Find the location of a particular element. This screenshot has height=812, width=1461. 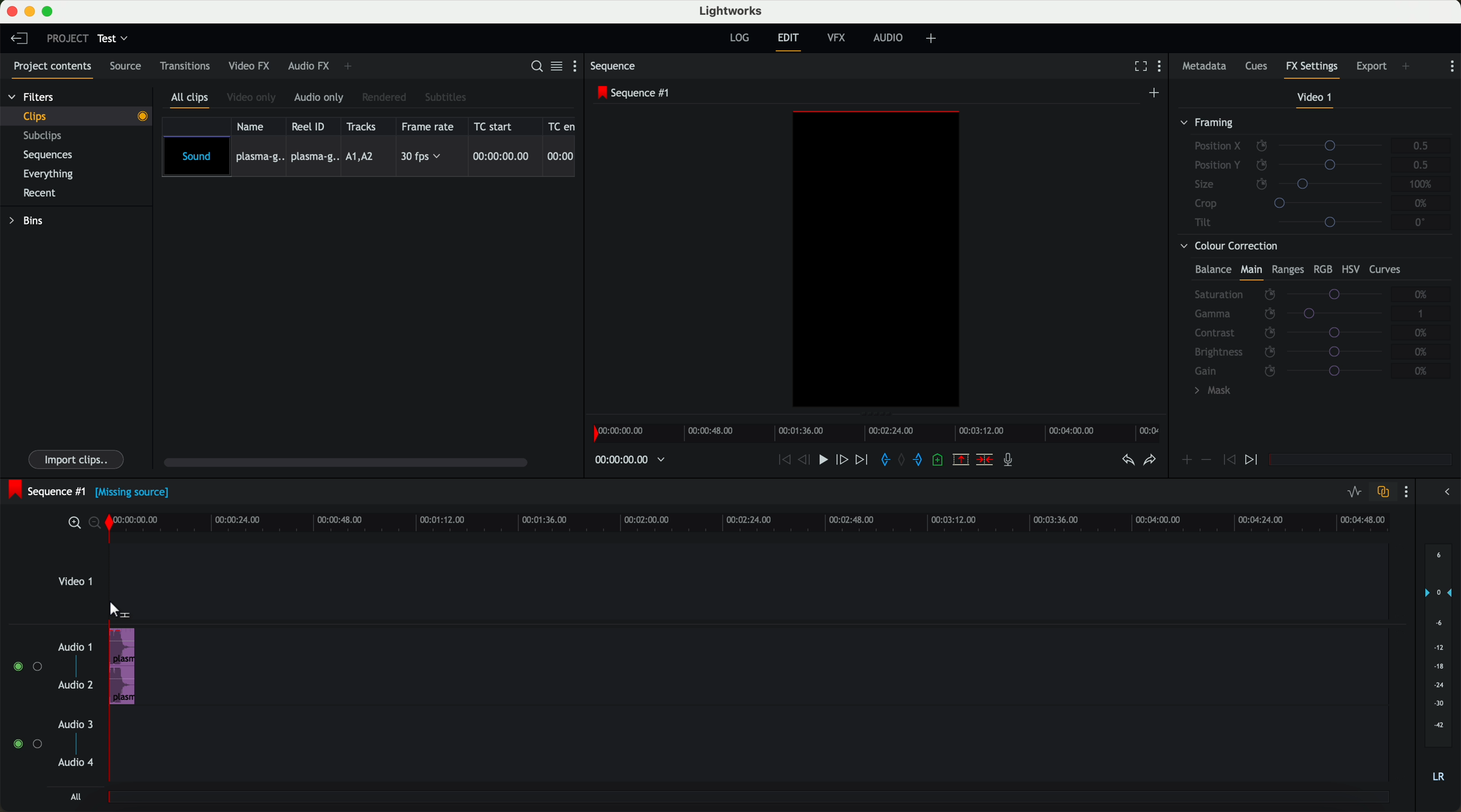

undo is located at coordinates (1126, 463).